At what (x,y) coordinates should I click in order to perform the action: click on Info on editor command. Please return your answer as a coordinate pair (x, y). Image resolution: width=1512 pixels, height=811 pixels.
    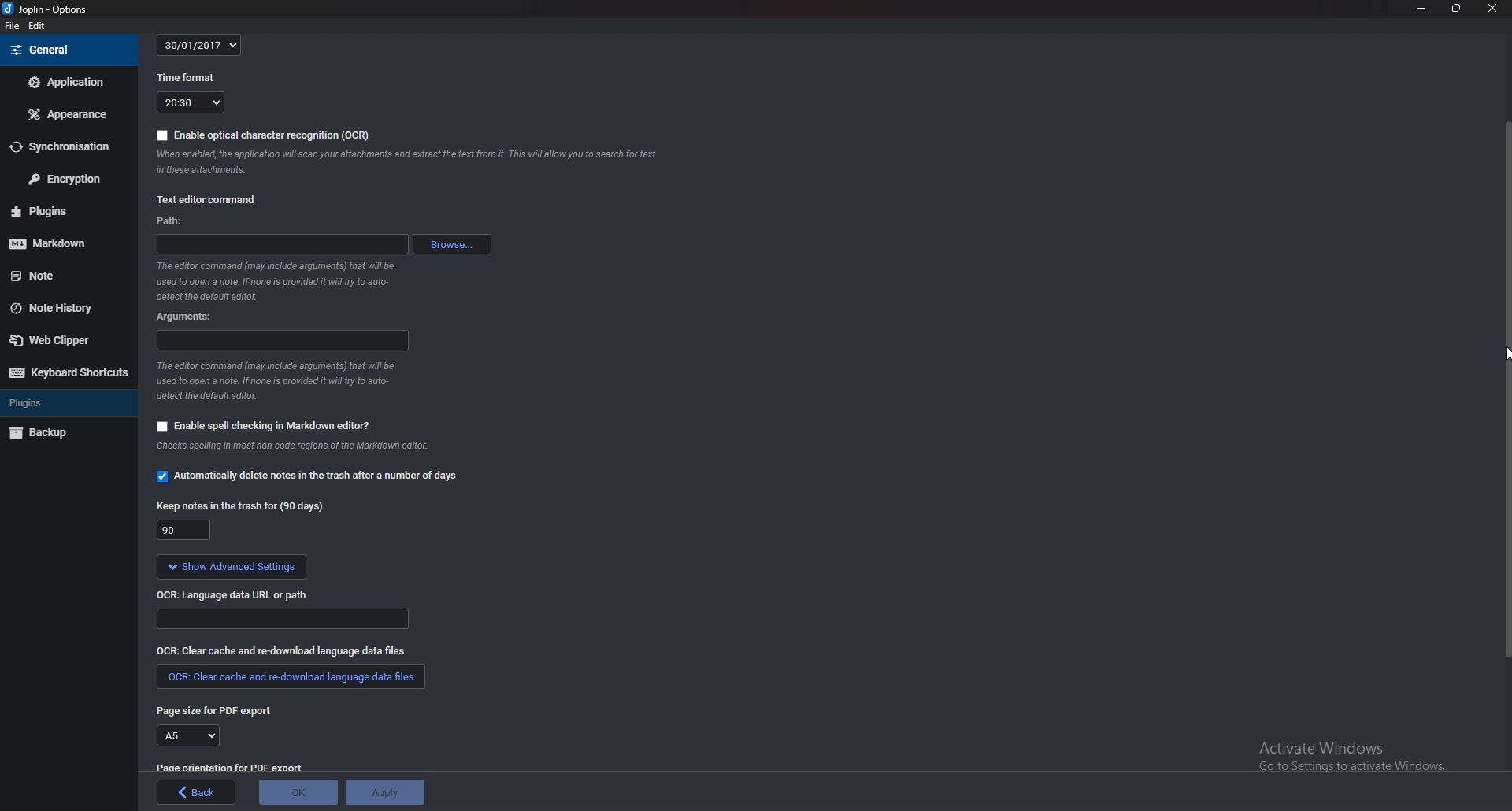
    Looking at the image, I should click on (279, 381).